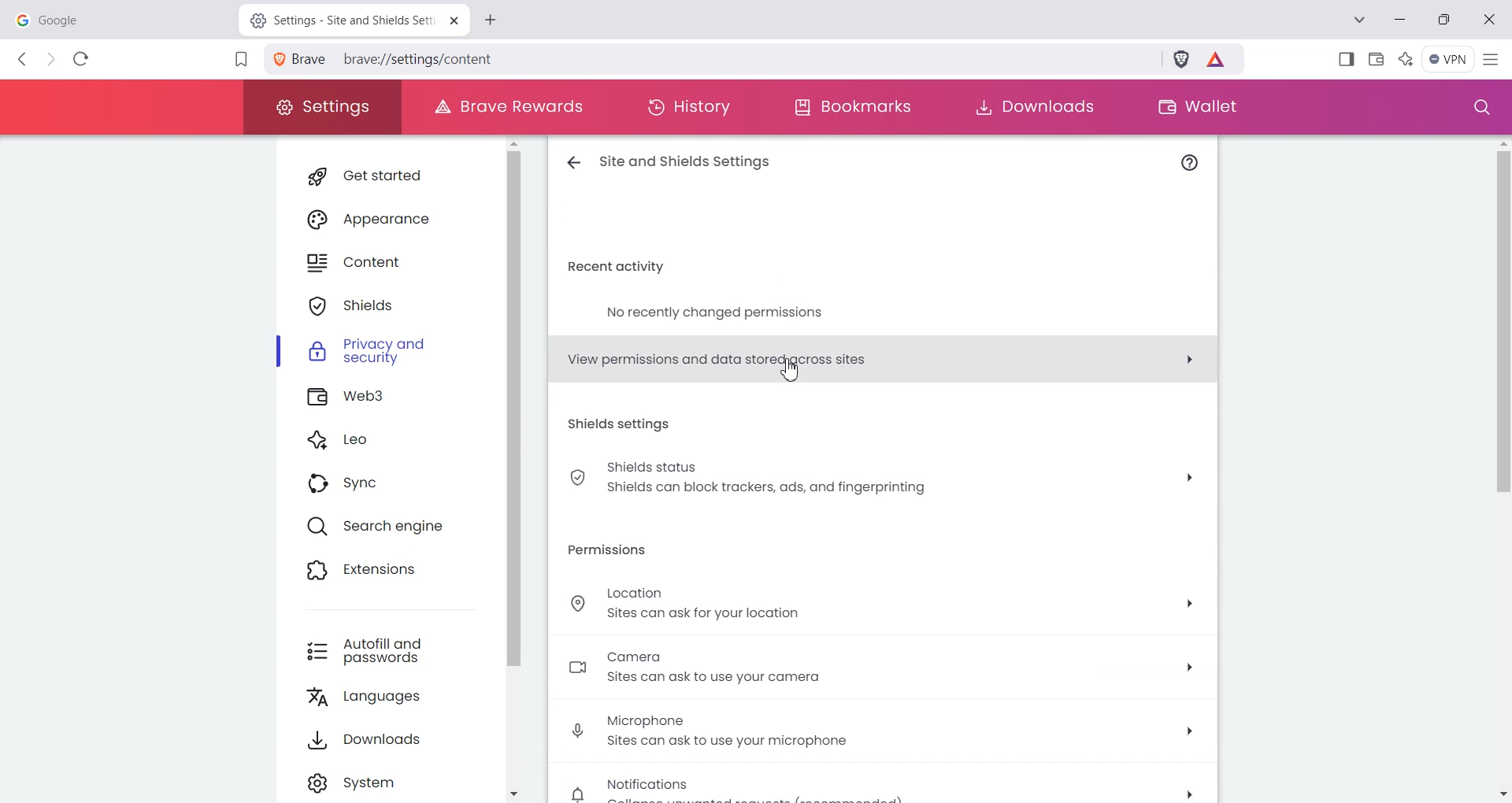  What do you see at coordinates (617, 266) in the screenshot?
I see `recent activity` at bounding box center [617, 266].